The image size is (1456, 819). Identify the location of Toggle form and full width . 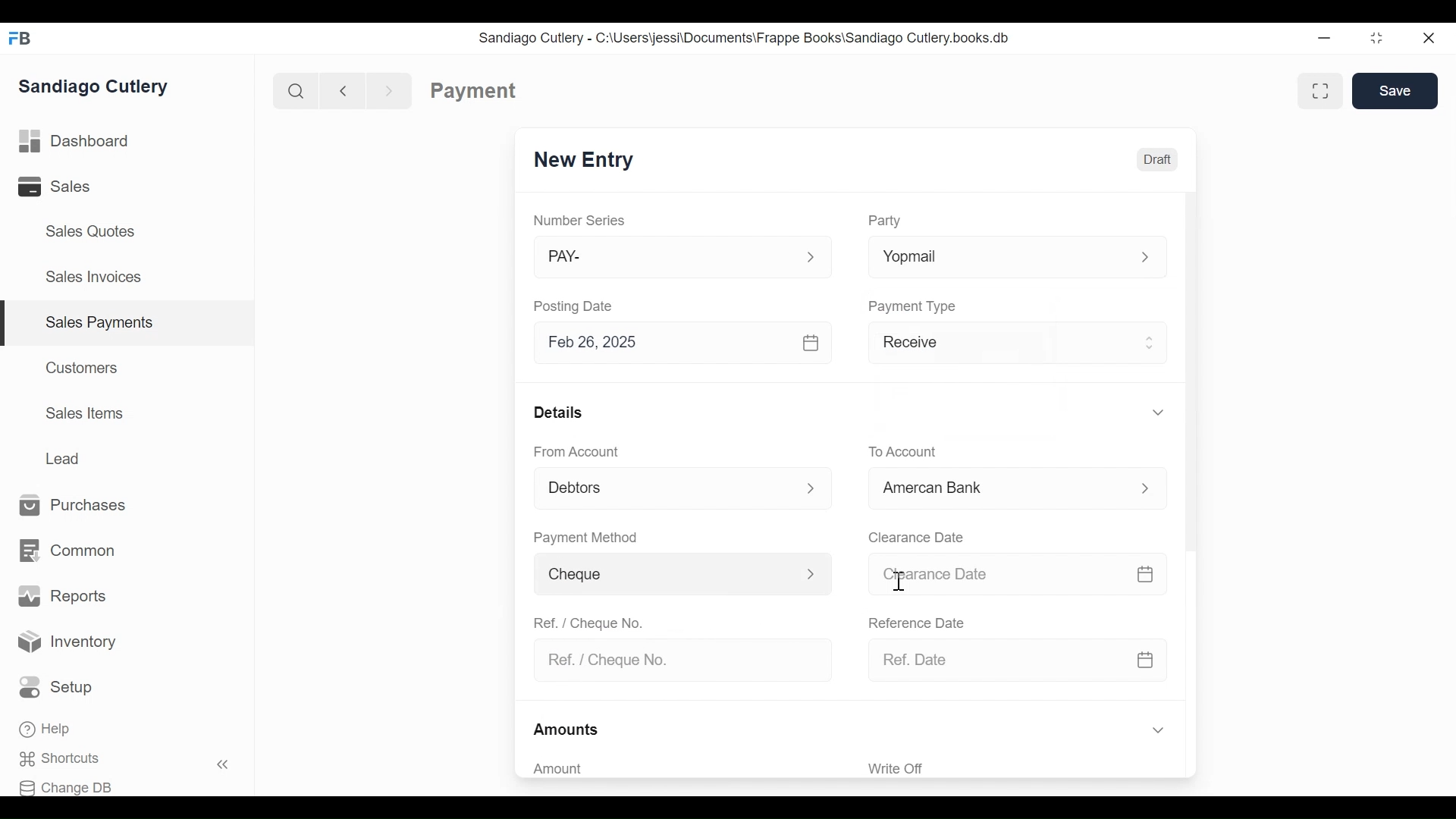
(1326, 88).